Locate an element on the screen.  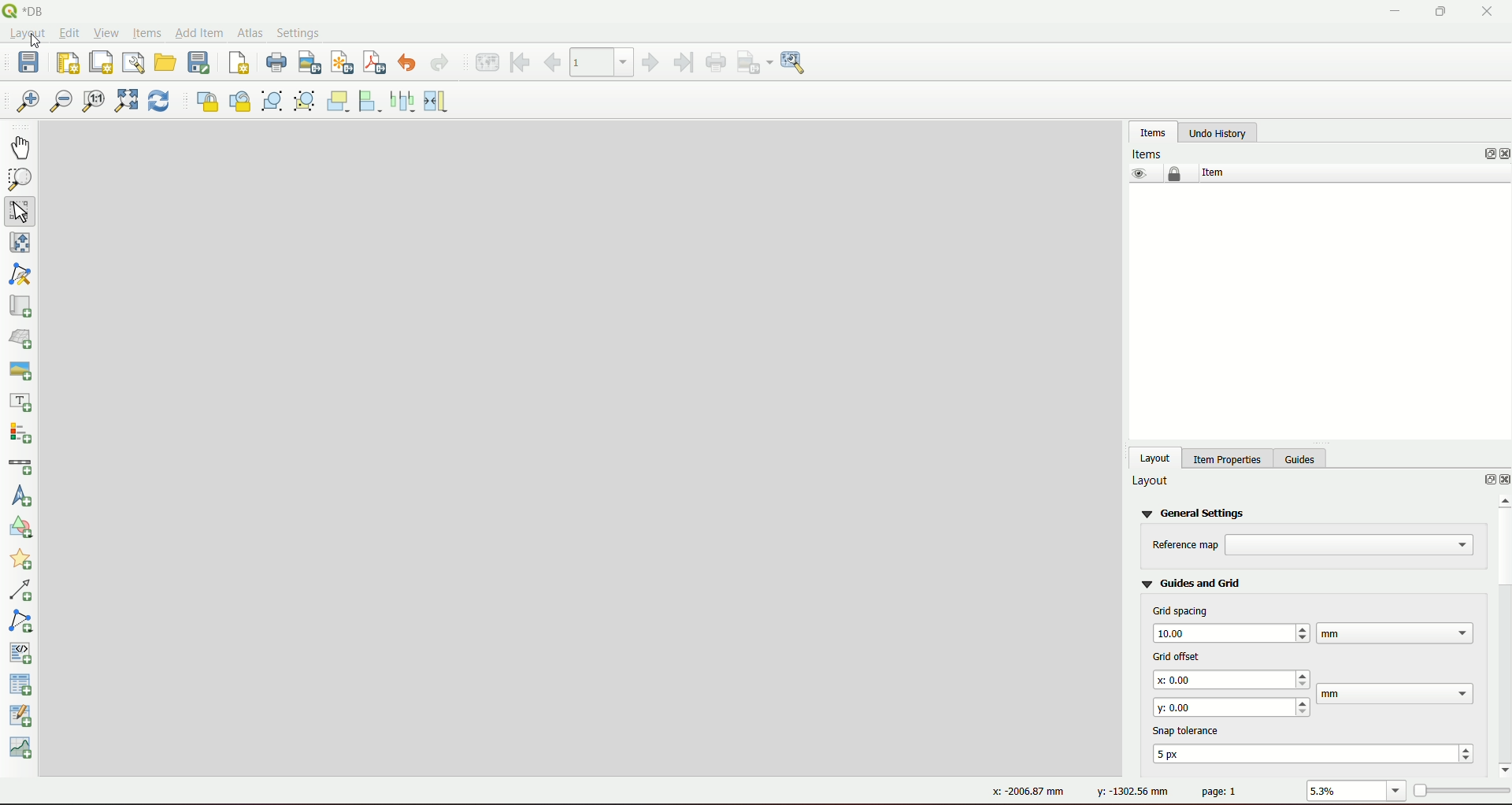
pan layout is located at coordinates (22, 147).